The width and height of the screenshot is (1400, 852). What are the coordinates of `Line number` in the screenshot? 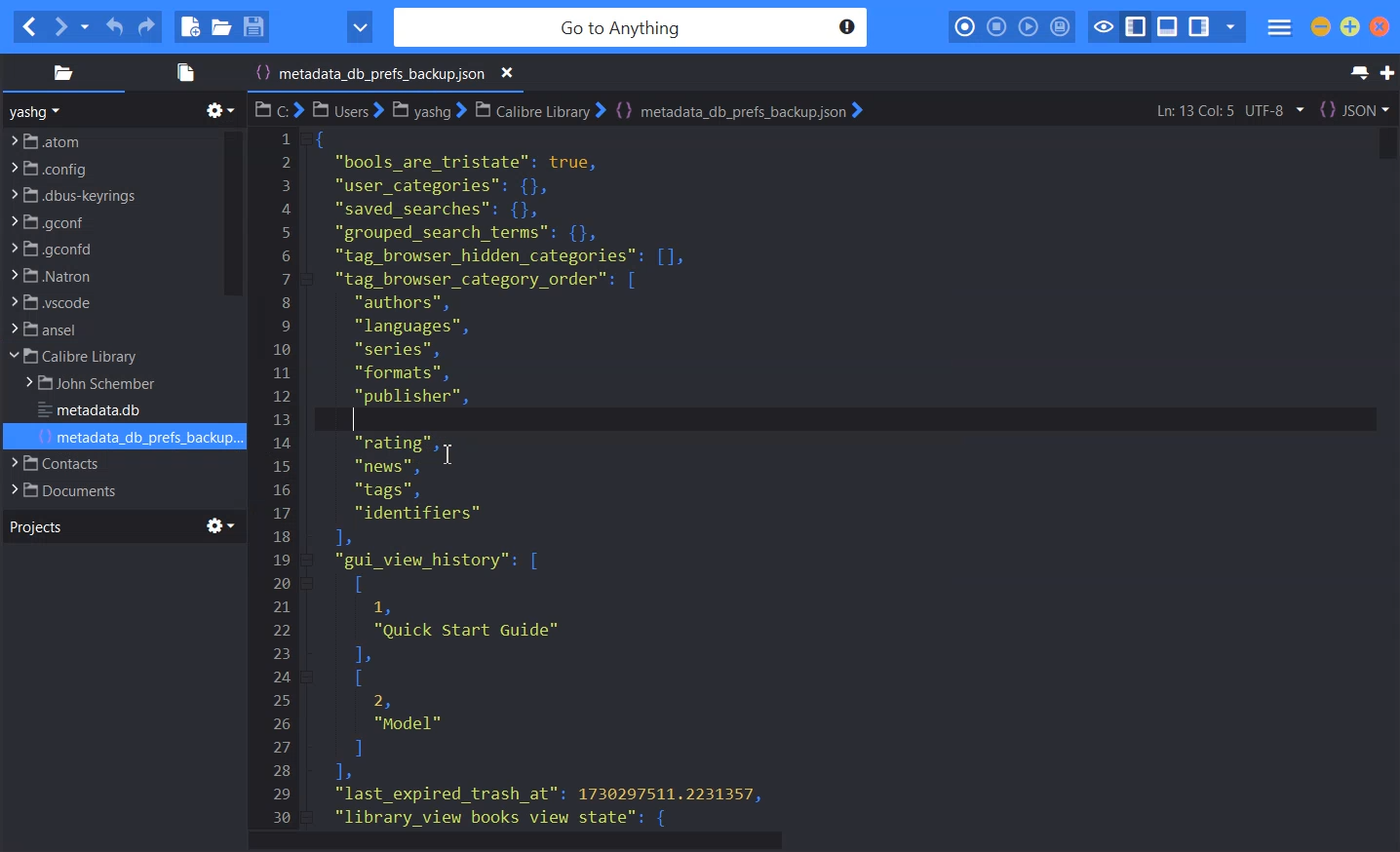 It's located at (283, 477).